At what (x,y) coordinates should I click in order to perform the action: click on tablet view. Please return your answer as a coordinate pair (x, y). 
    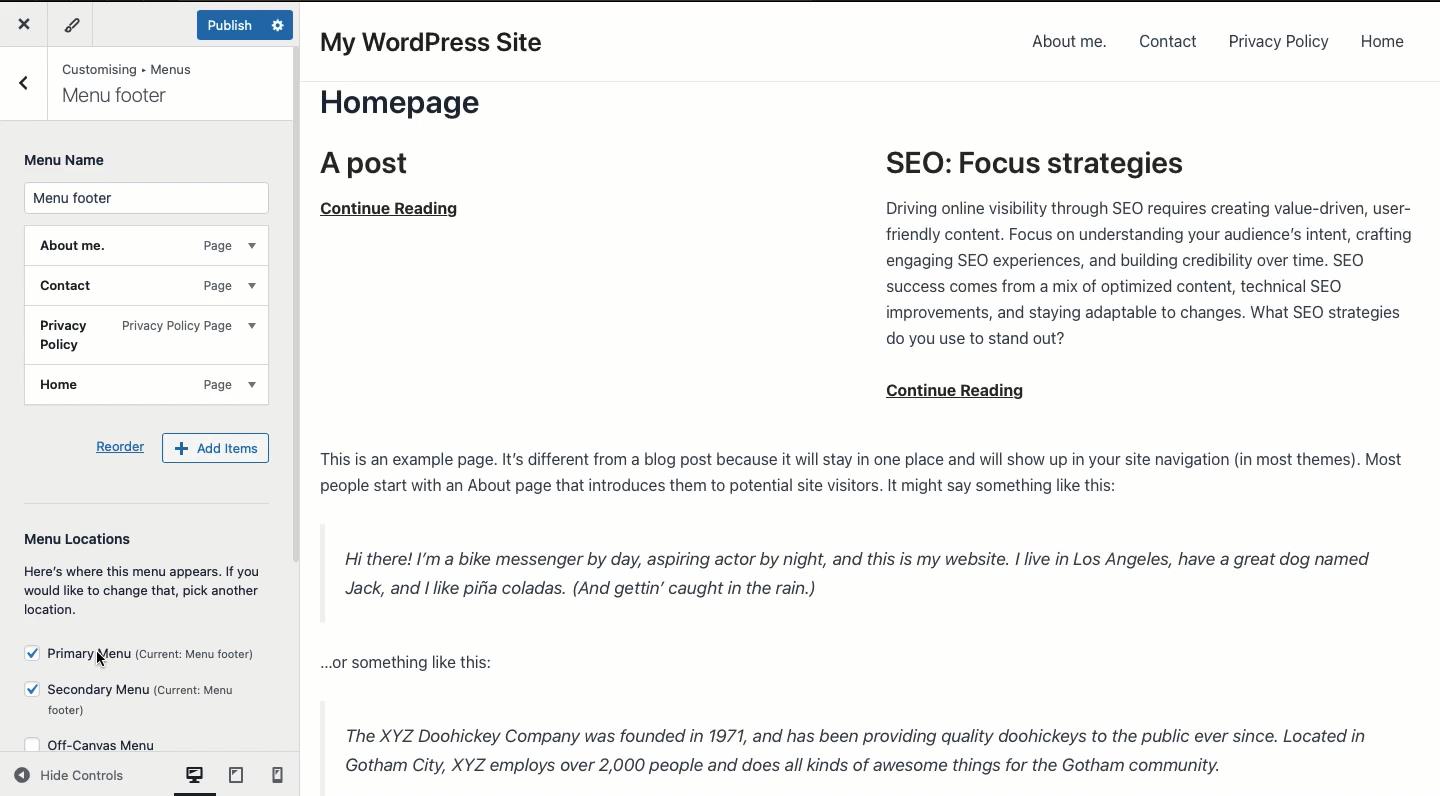
    Looking at the image, I should click on (236, 777).